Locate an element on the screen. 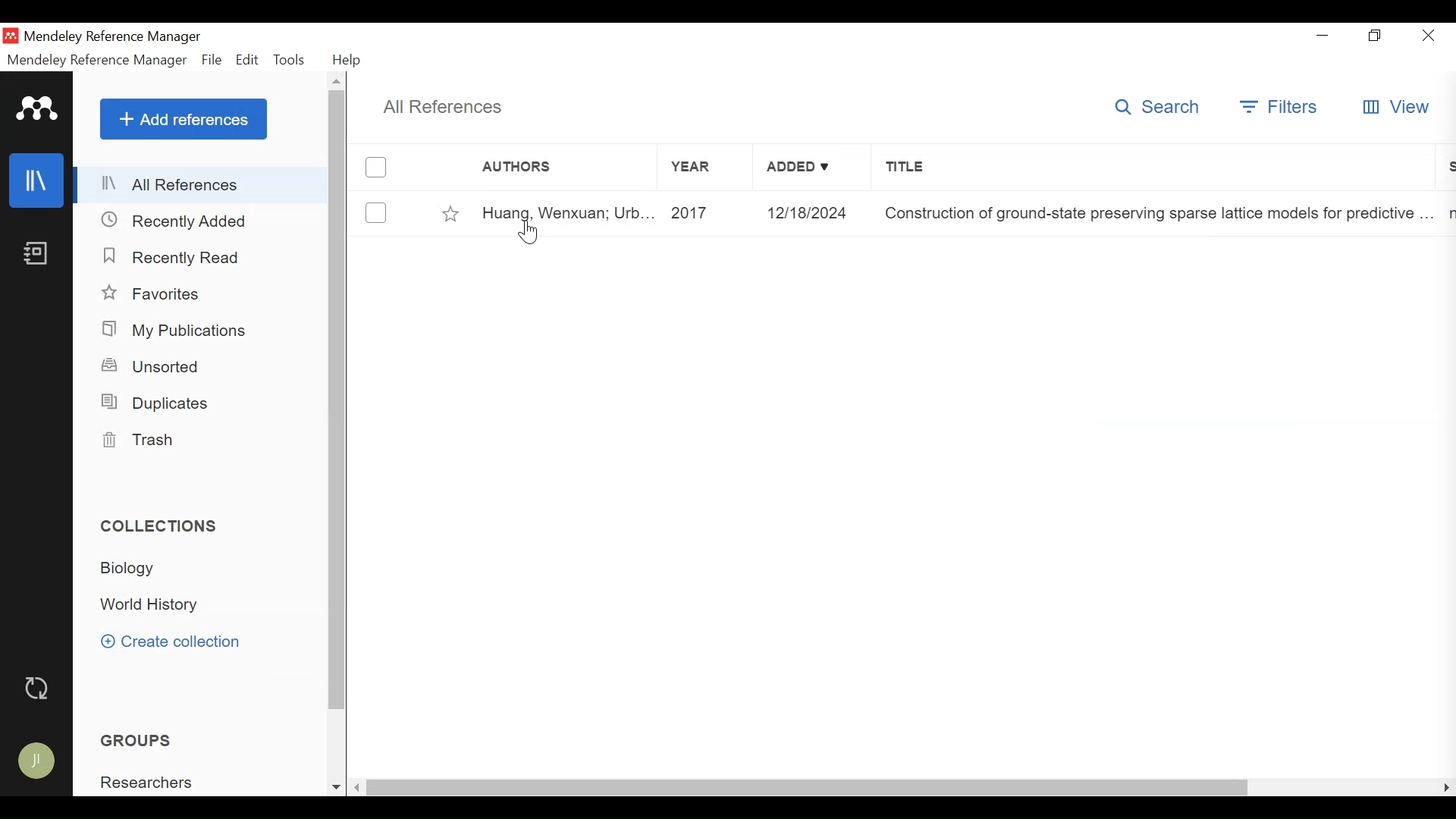 The height and width of the screenshot is (819, 1456). Duplicates is located at coordinates (158, 403).